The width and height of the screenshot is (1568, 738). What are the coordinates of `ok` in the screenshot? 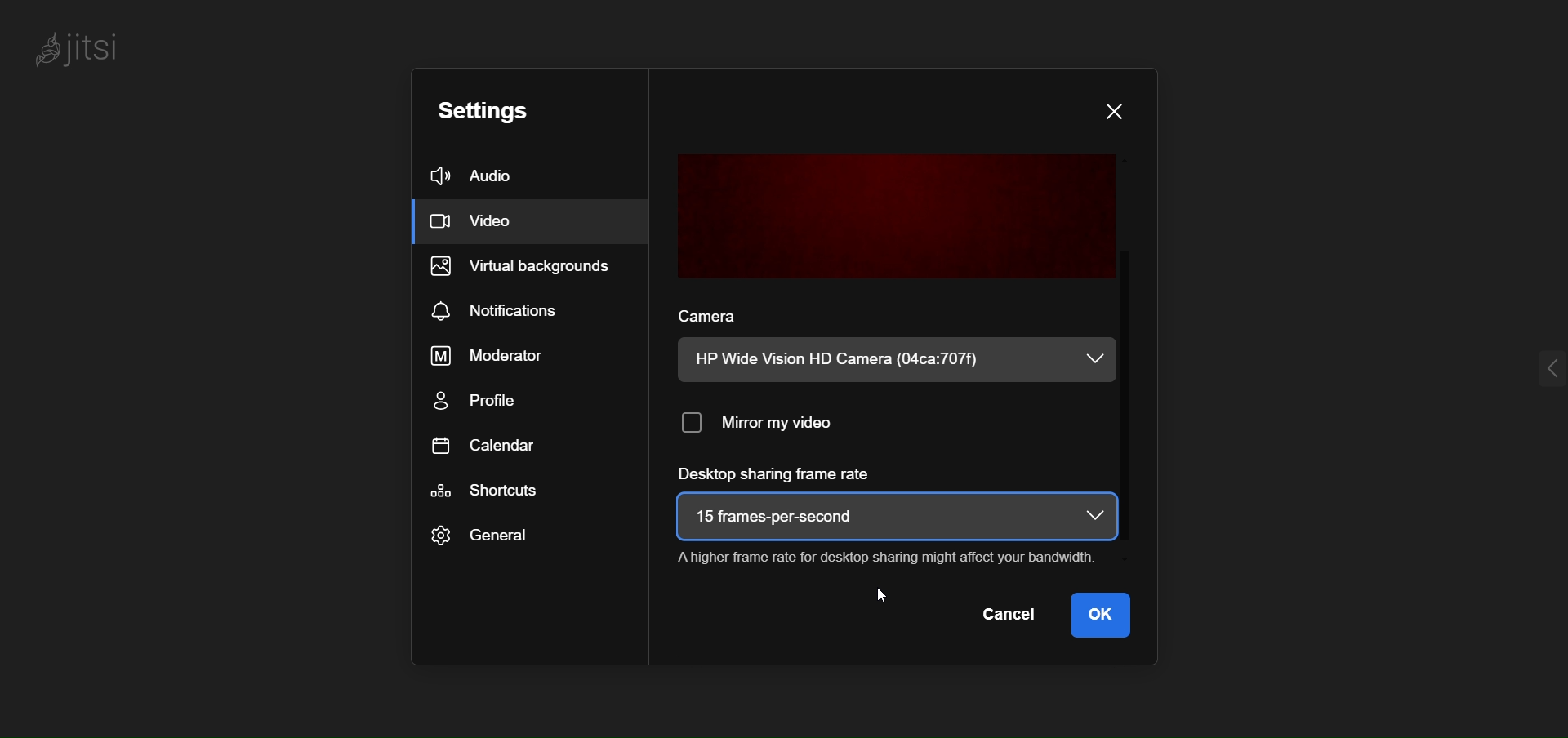 It's located at (1106, 617).